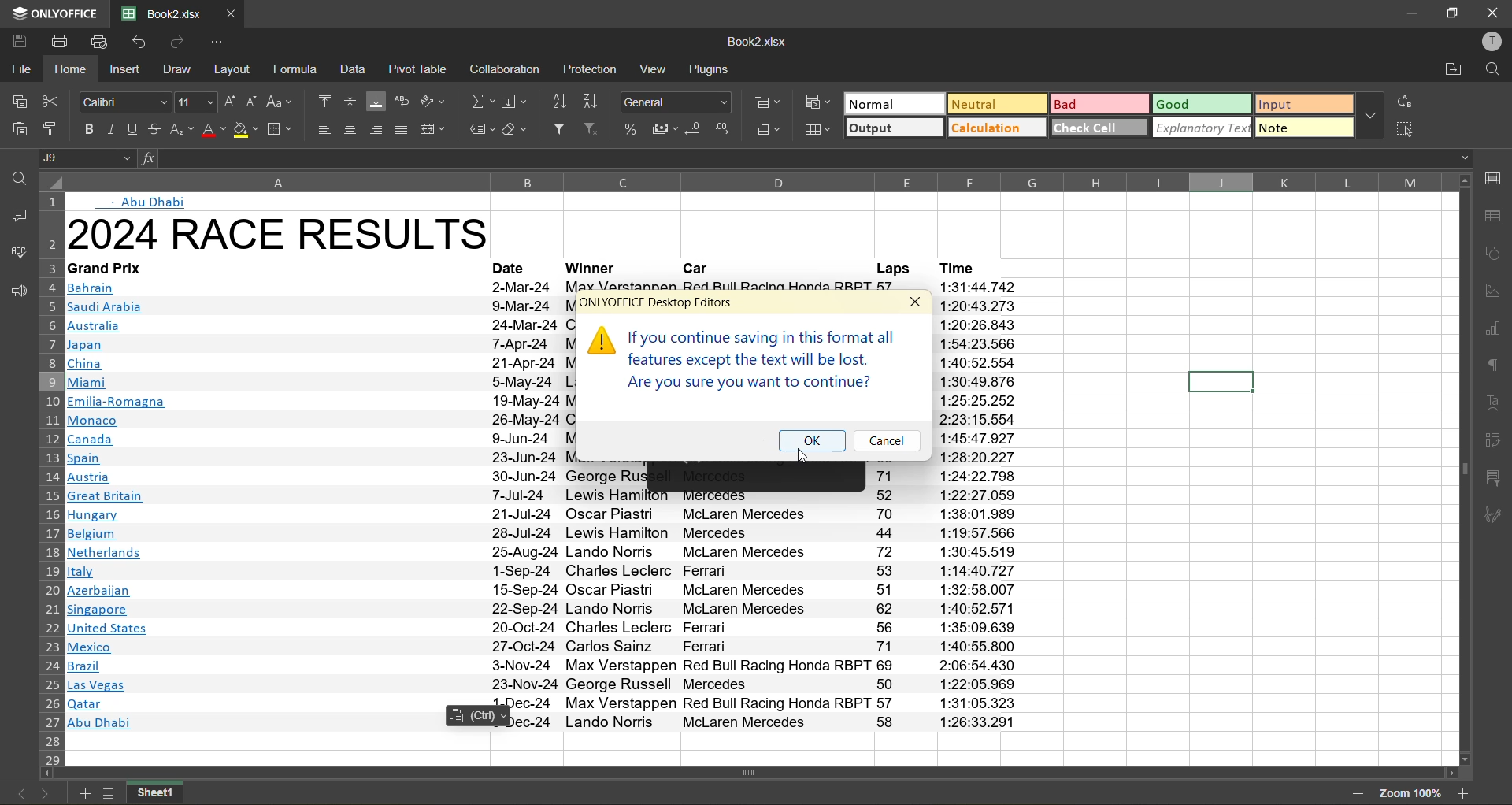  What do you see at coordinates (284, 98) in the screenshot?
I see `change case` at bounding box center [284, 98].